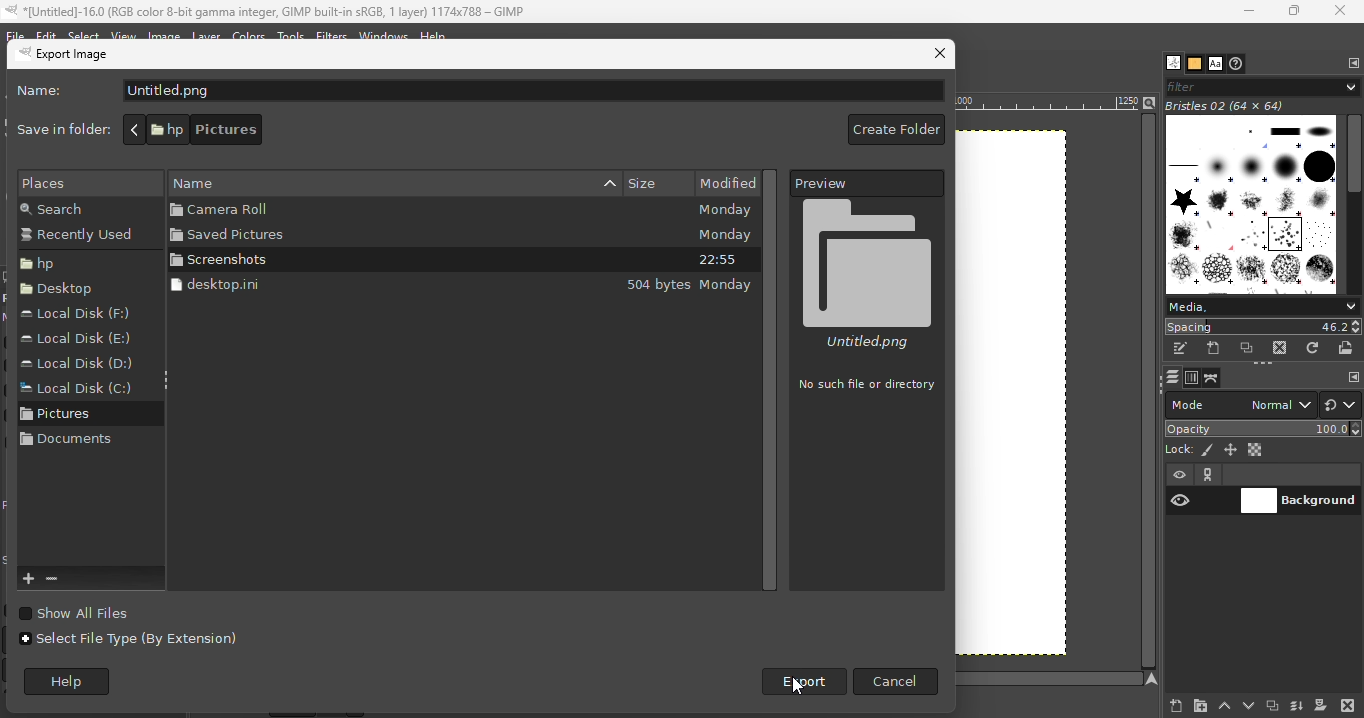 This screenshot has height=718, width=1364. I want to click on Open brush as image, so click(1347, 347).